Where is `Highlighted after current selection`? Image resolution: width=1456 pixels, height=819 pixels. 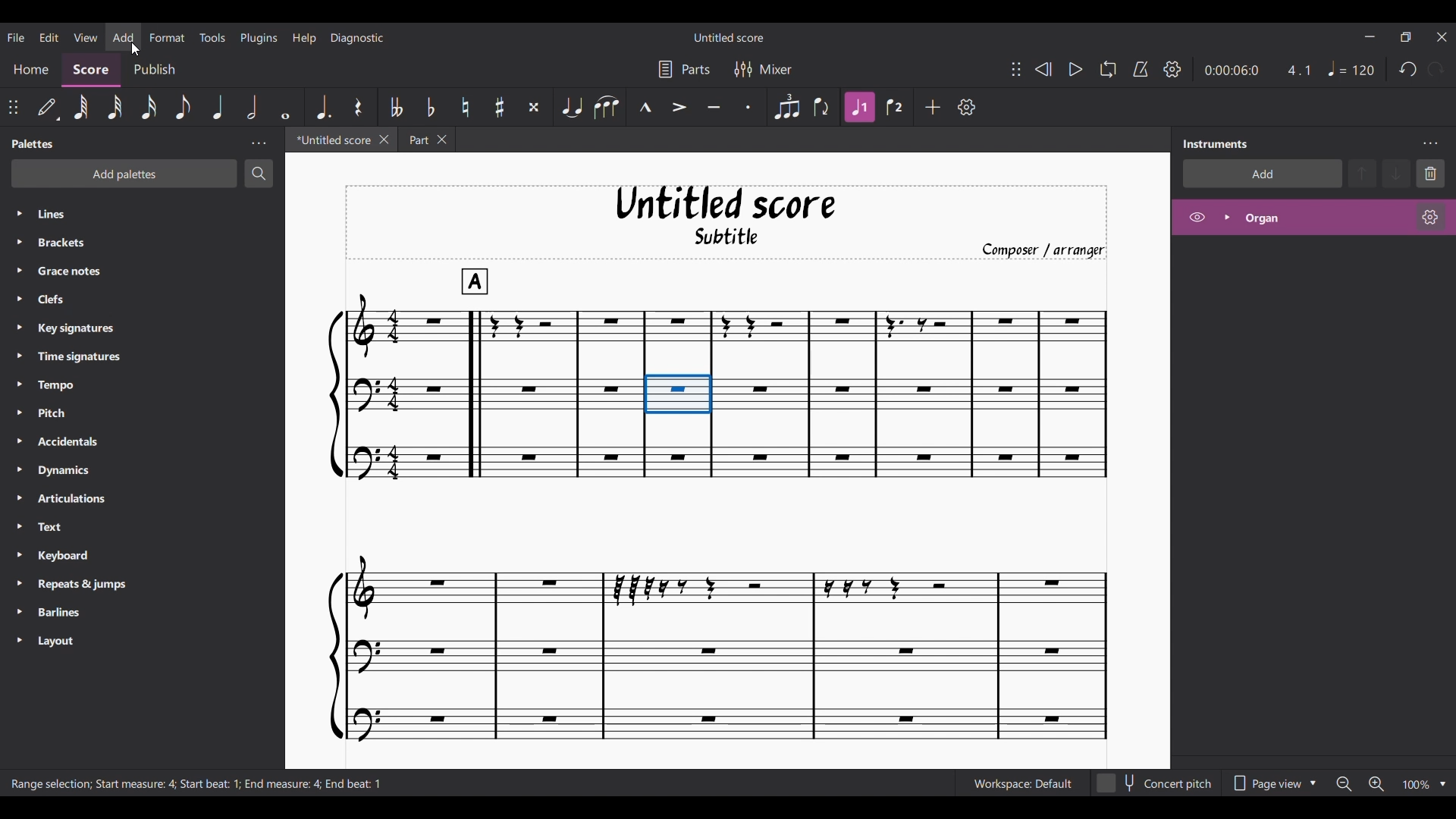
Highlighted after current selection is located at coordinates (1313, 218).